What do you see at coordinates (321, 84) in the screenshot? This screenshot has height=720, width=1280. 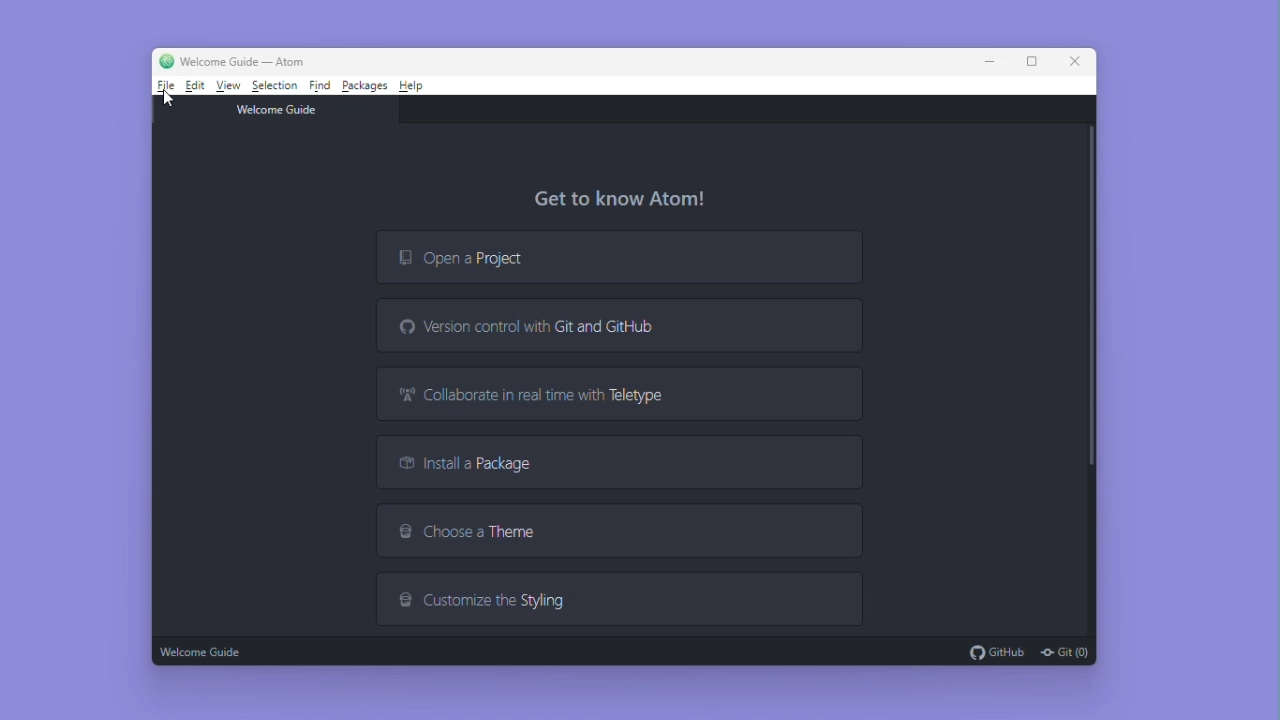 I see `Find` at bounding box center [321, 84].